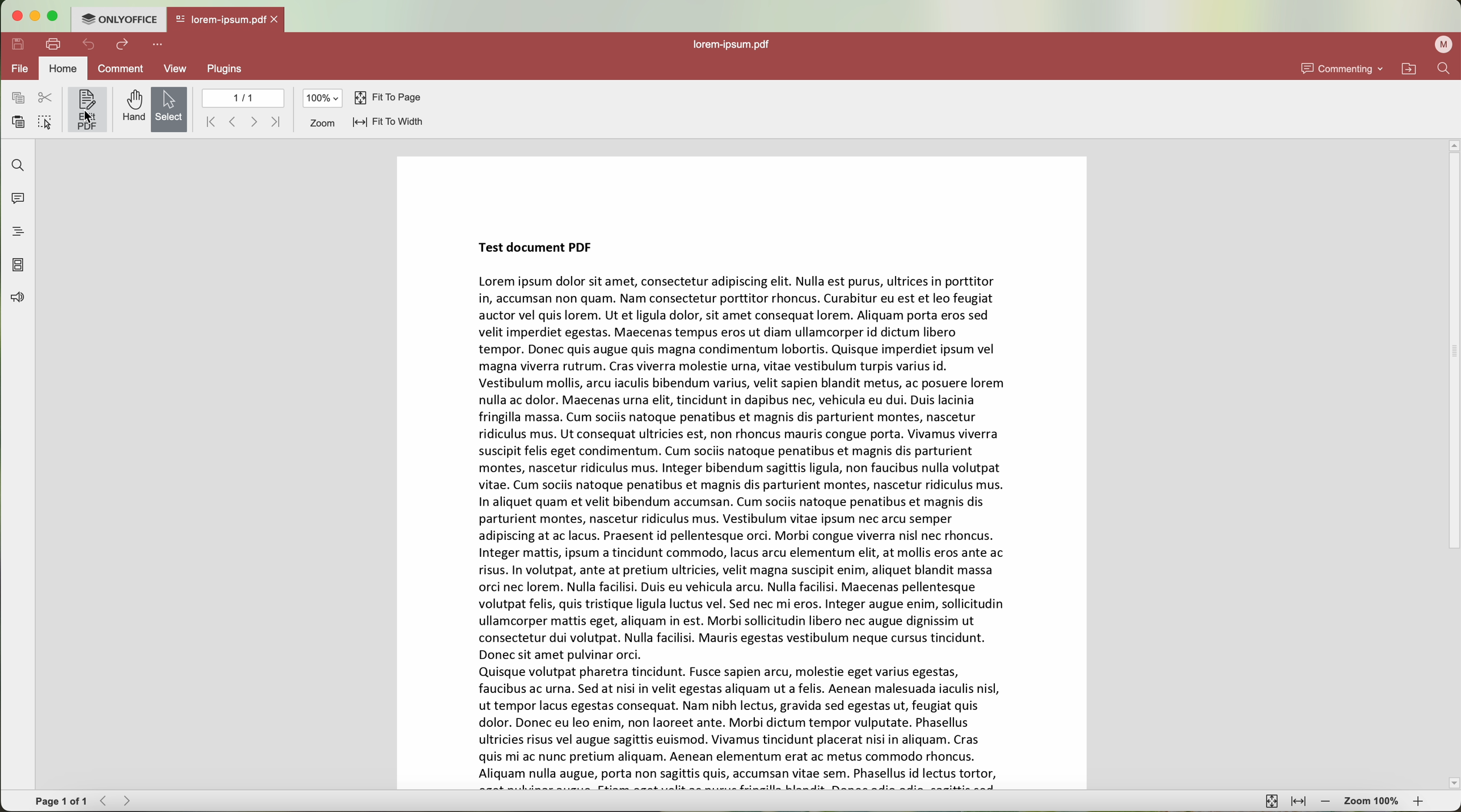 The image size is (1461, 812). Describe the element at coordinates (390, 97) in the screenshot. I see `fit to page` at that location.